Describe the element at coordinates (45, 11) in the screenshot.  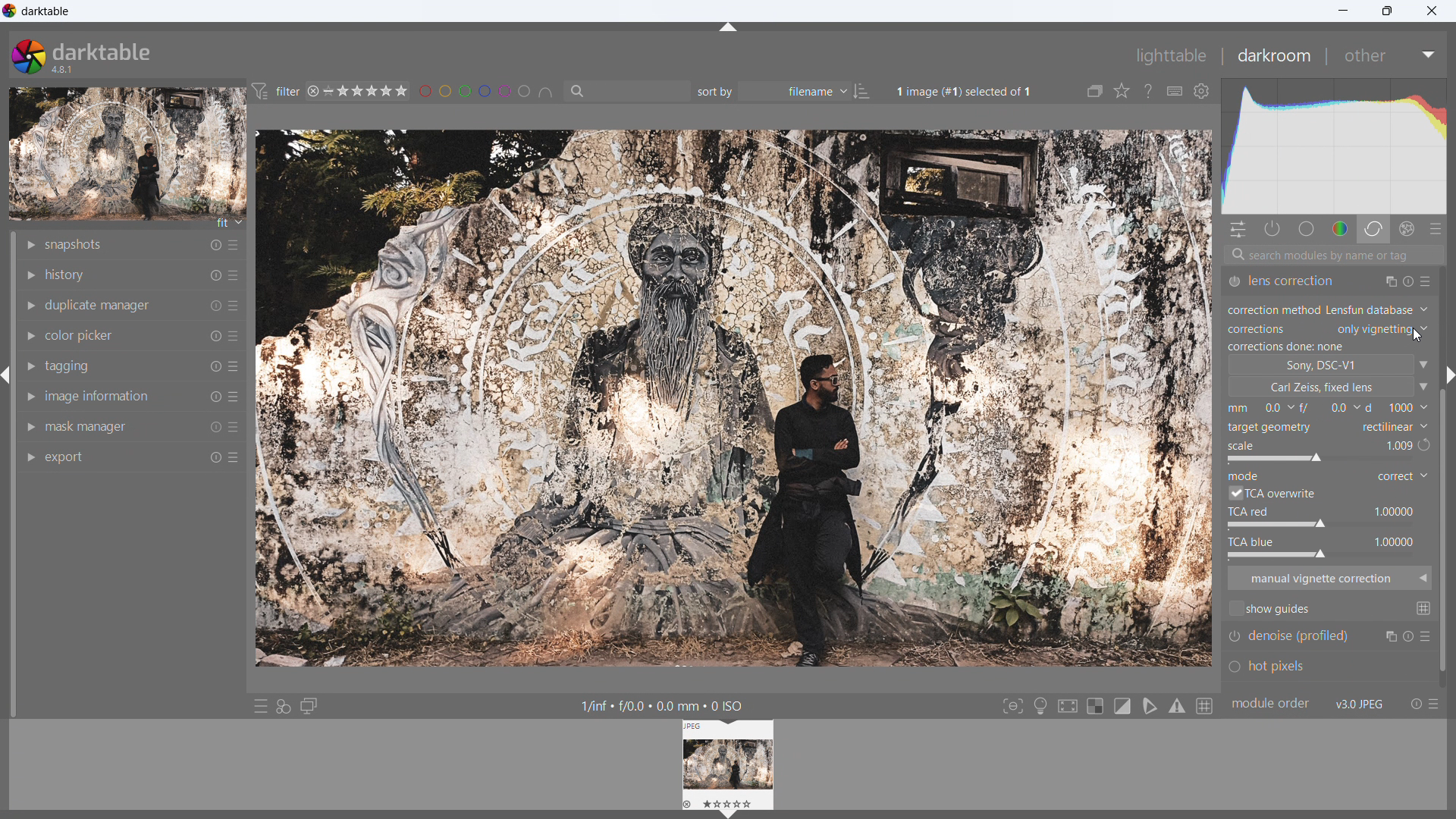
I see `title` at that location.